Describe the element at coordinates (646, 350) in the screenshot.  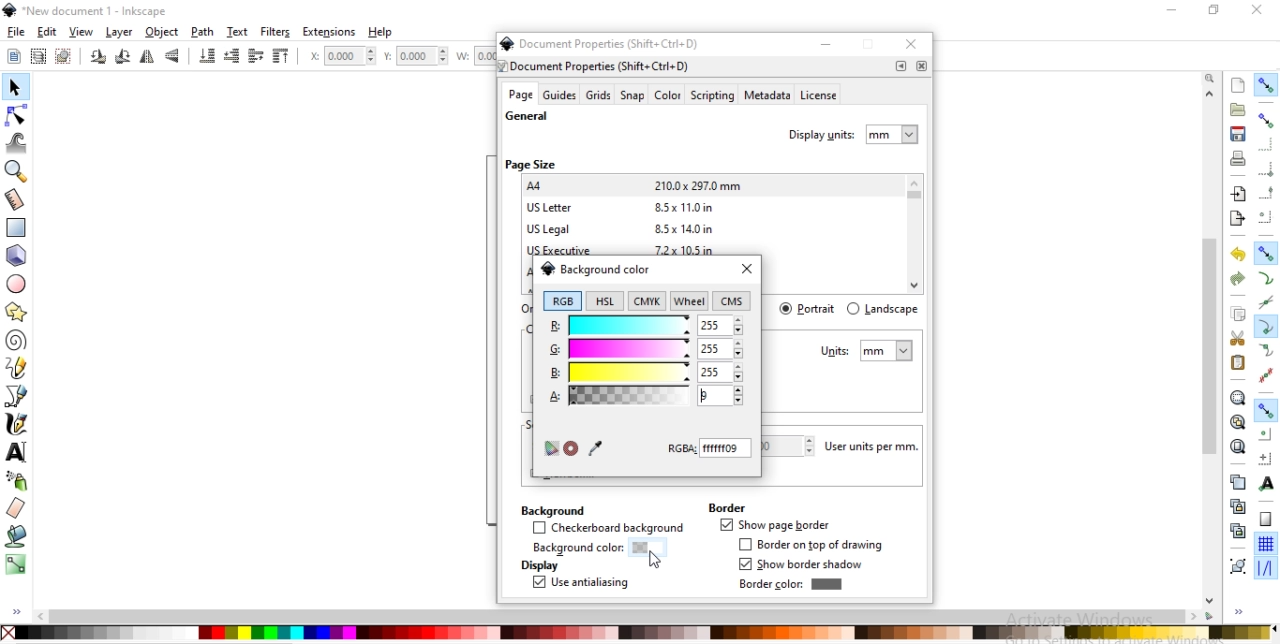
I see `g` at that location.